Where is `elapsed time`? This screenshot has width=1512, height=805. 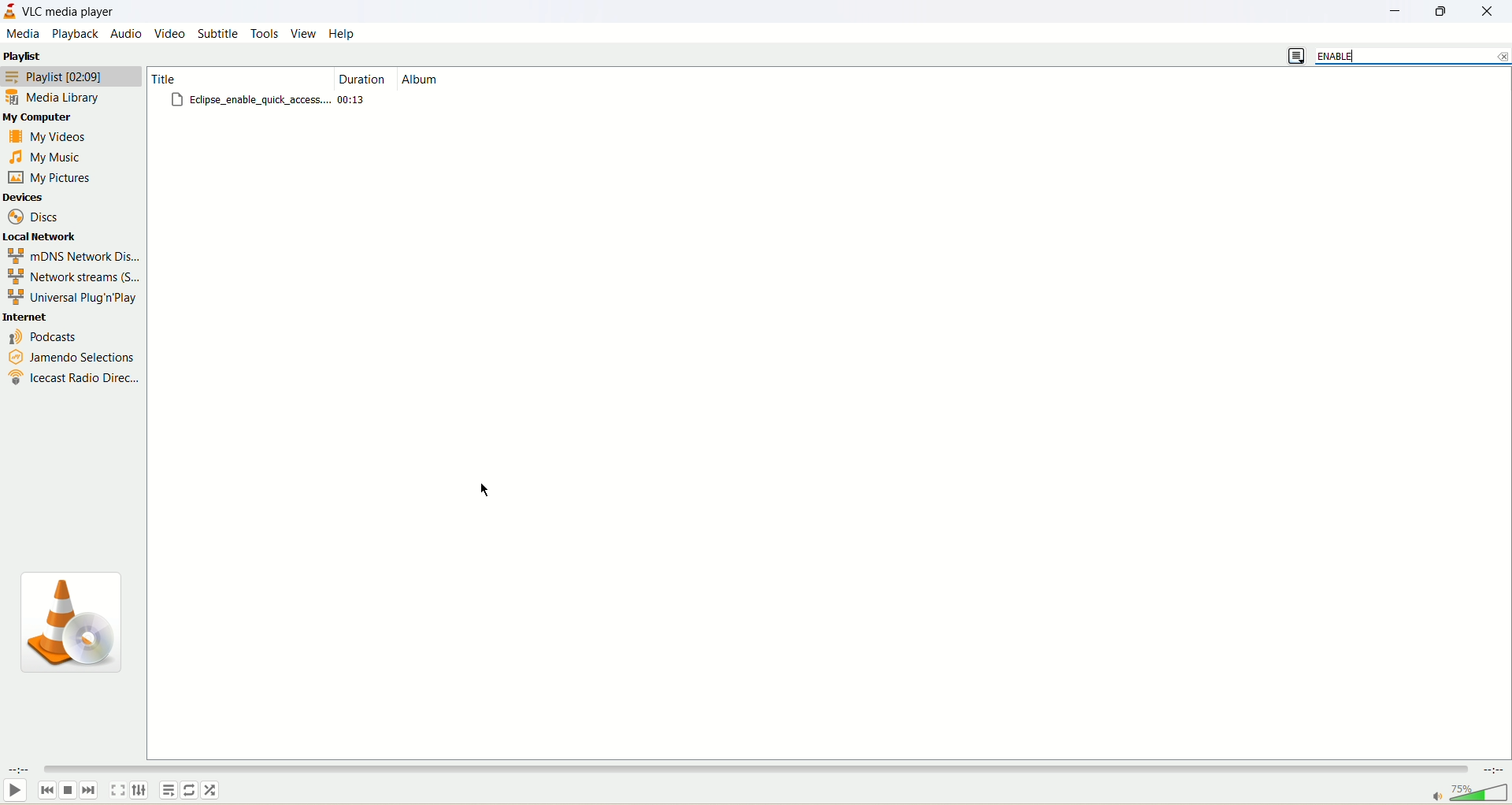 elapsed time is located at coordinates (20, 770).